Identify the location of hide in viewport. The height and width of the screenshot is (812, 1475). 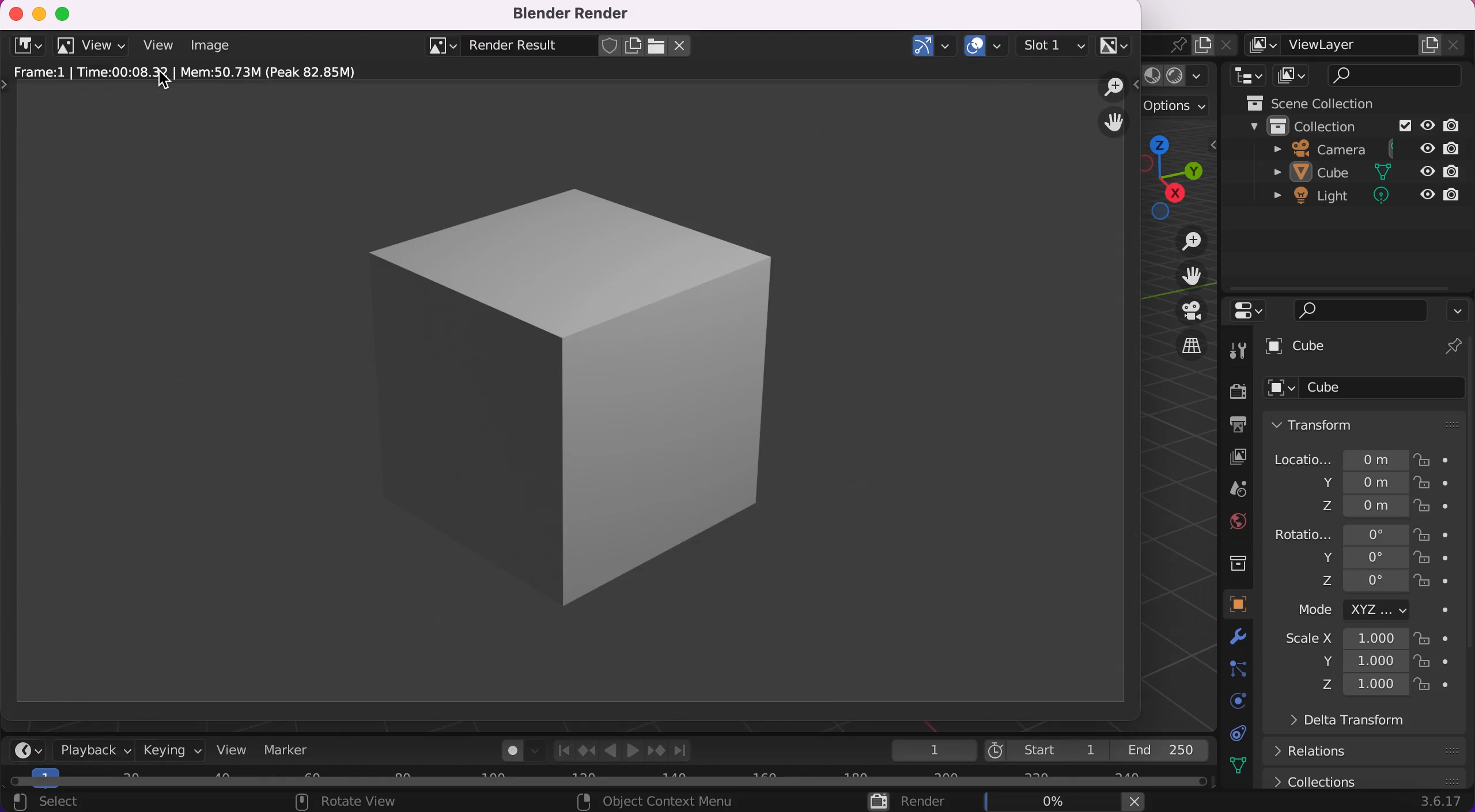
(1425, 170).